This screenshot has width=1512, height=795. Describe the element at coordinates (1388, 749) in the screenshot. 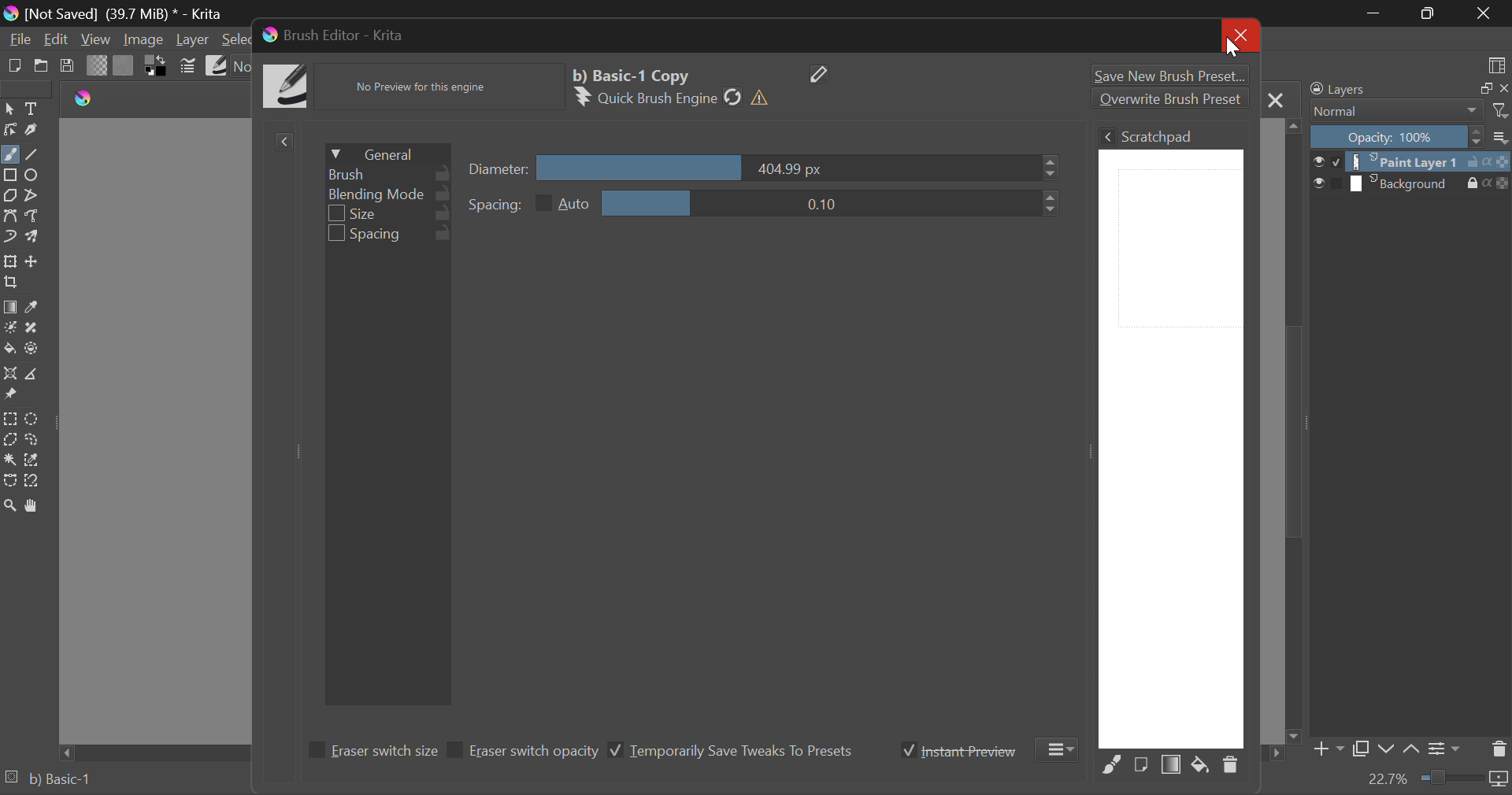

I see `Move Layer Down` at that location.